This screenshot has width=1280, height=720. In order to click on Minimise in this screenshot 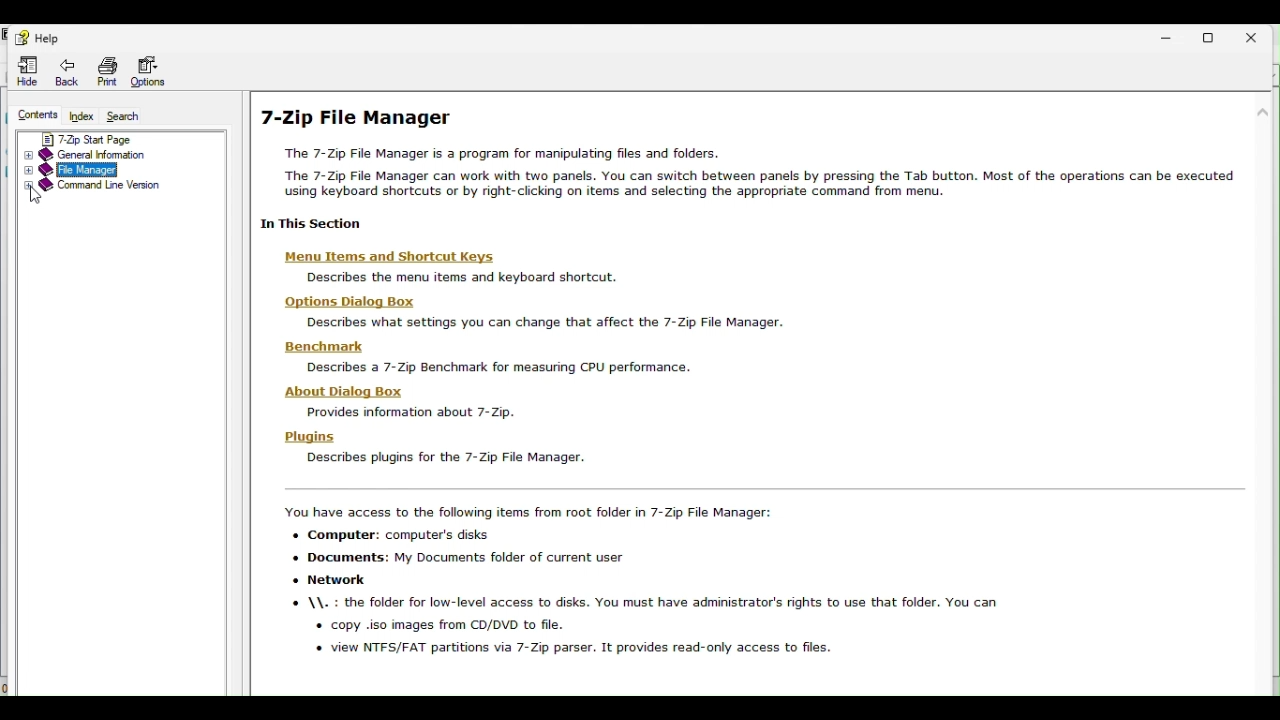, I will do `click(1167, 37)`.